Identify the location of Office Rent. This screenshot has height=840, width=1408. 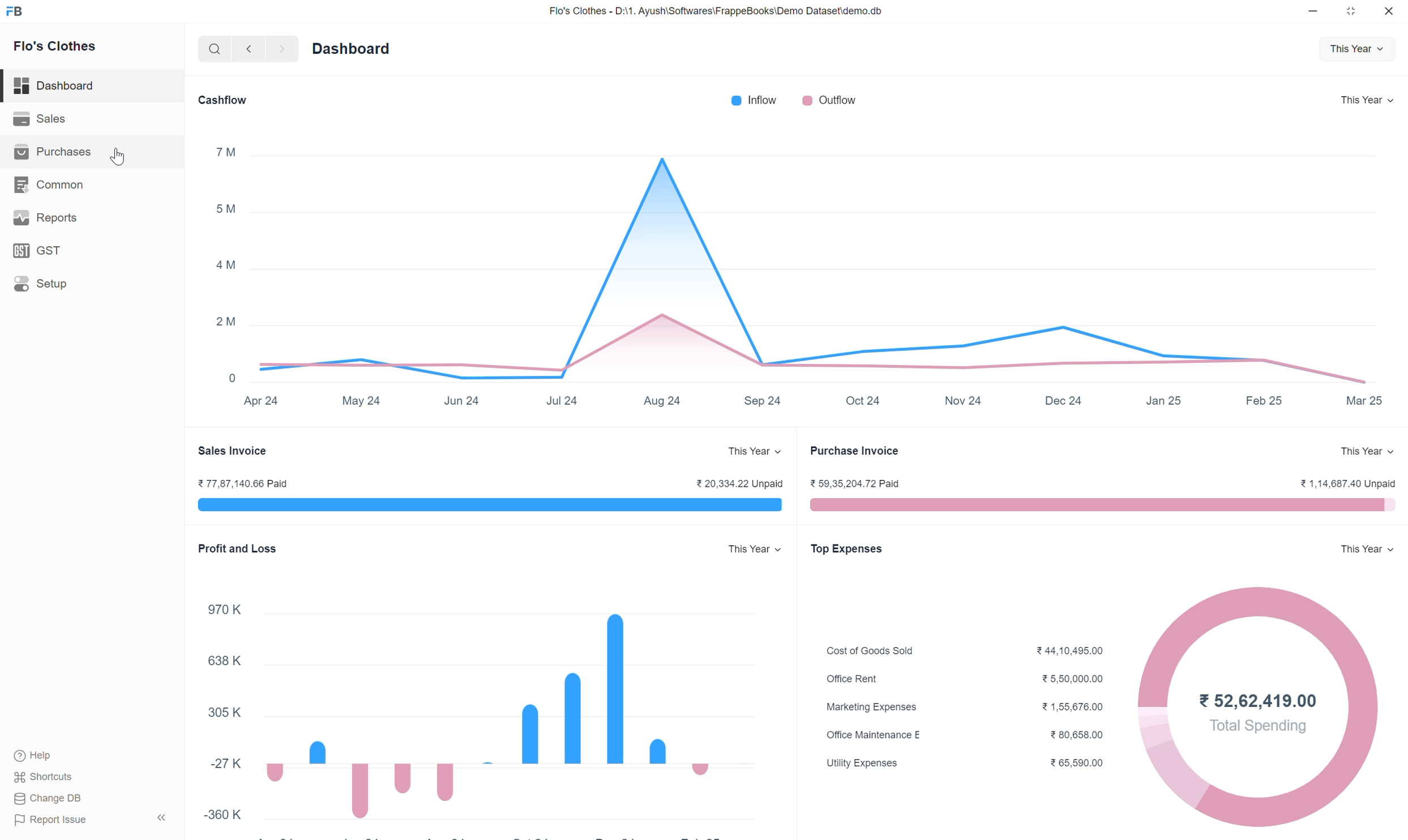
(853, 679).